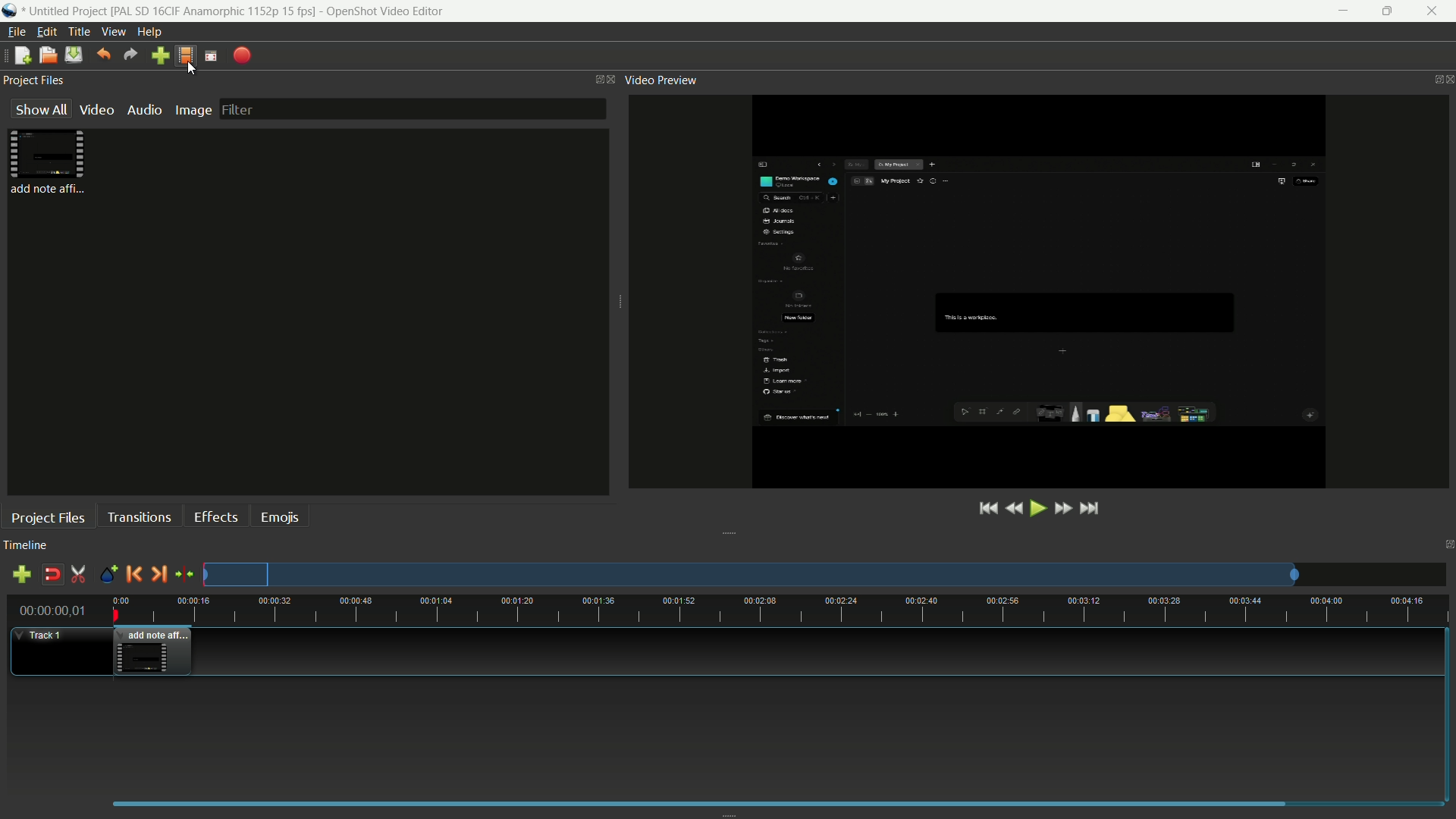 This screenshot has height=819, width=1456. I want to click on close project files, so click(612, 79).